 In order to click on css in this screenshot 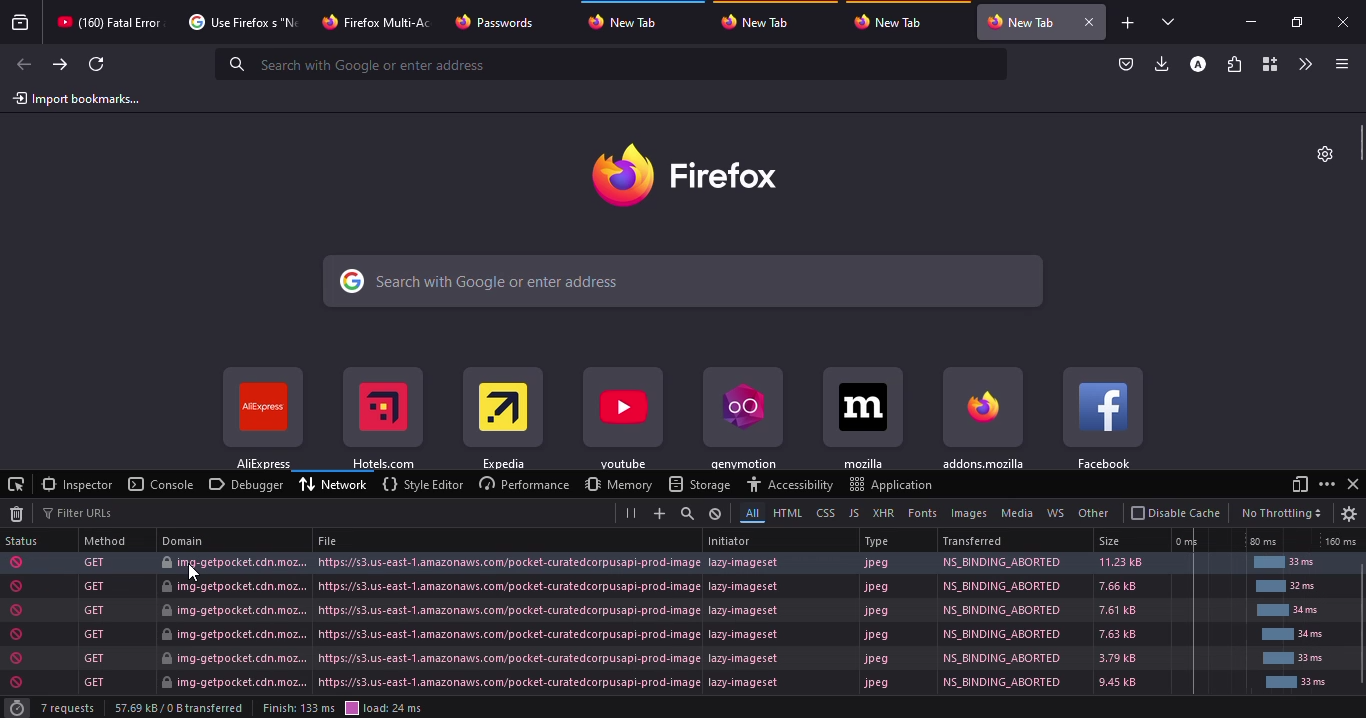, I will do `click(824, 512)`.